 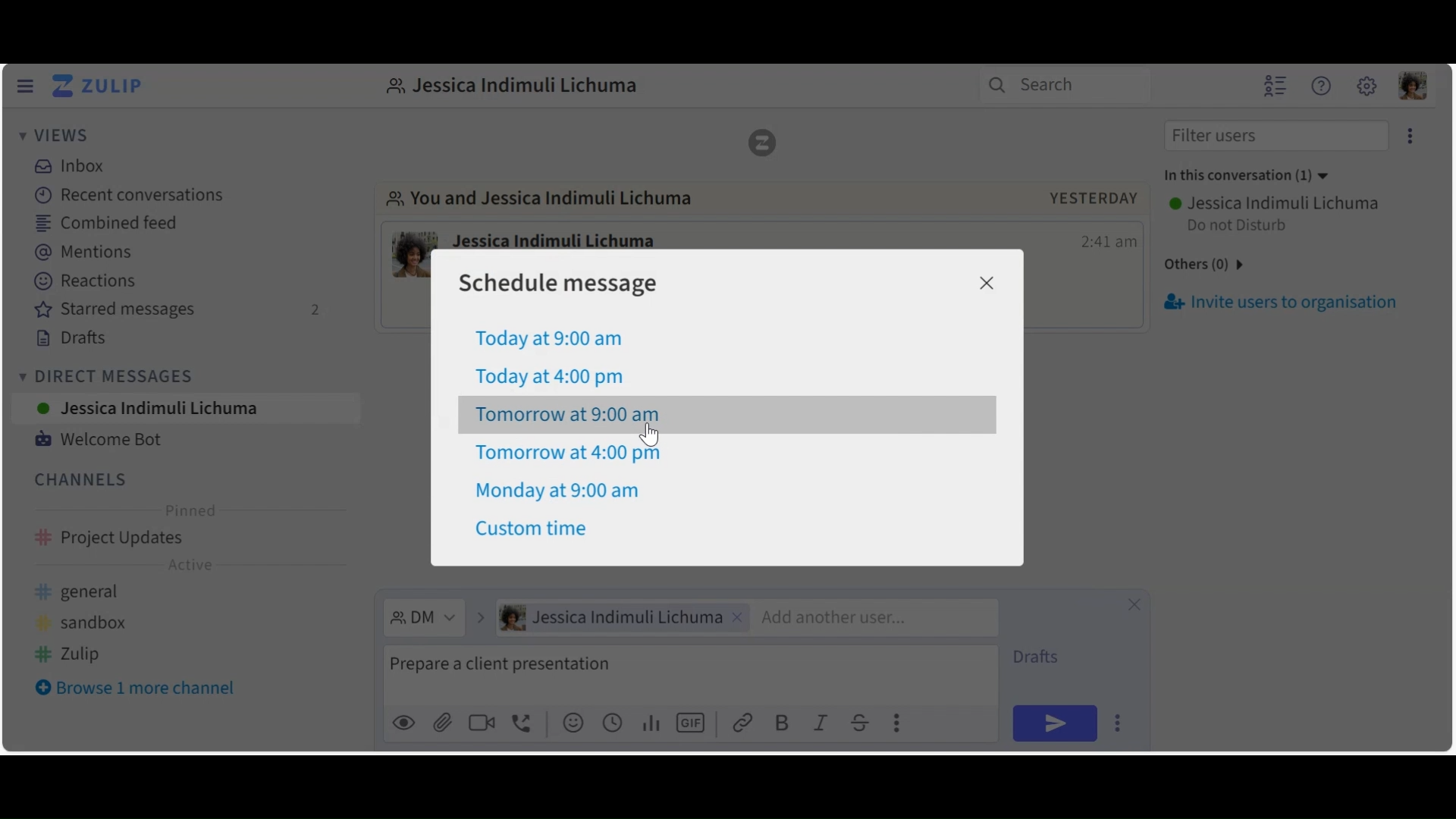 What do you see at coordinates (542, 530) in the screenshot?
I see `Custom time` at bounding box center [542, 530].